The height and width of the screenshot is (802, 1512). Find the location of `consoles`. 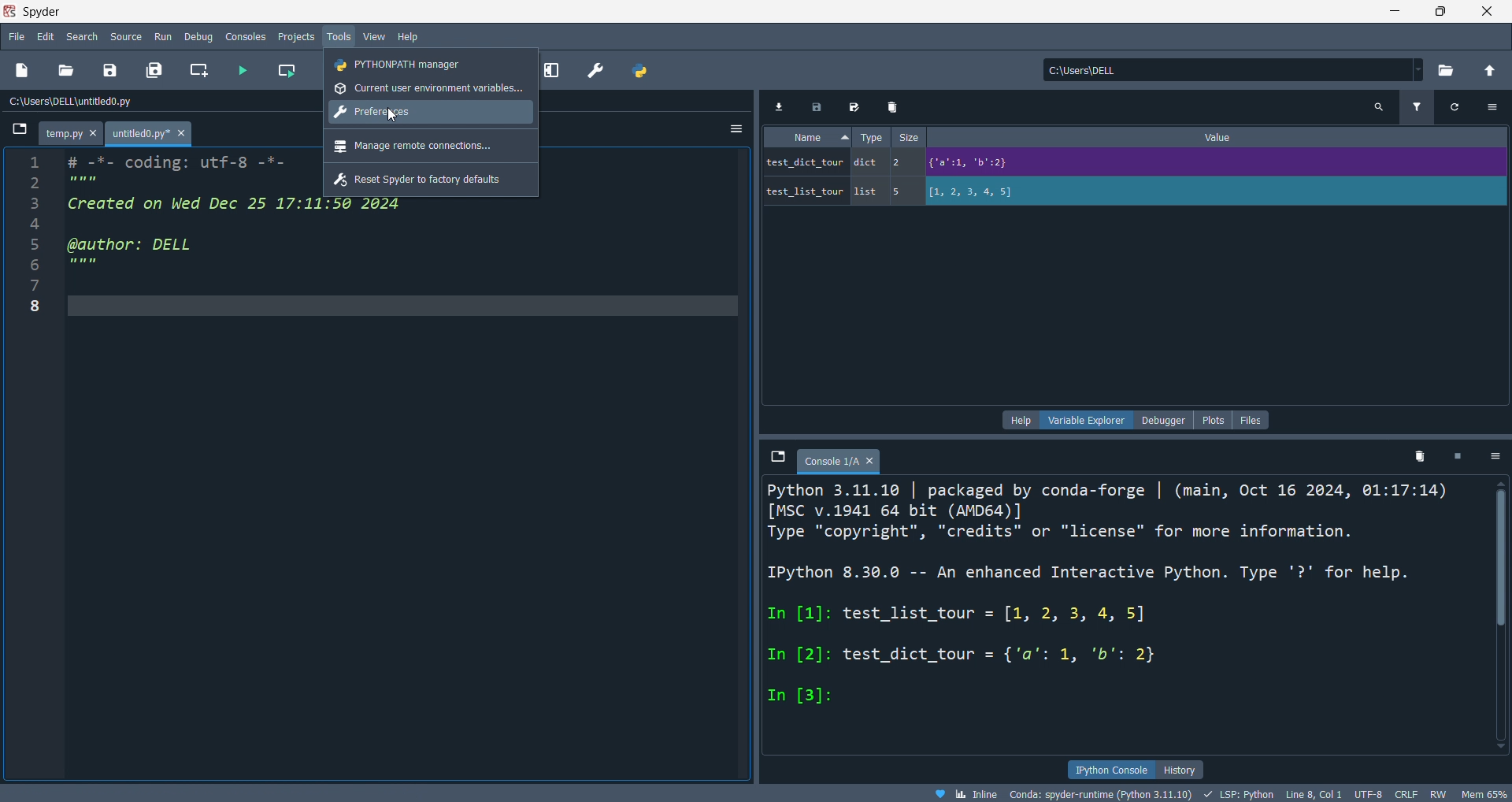

consoles is located at coordinates (247, 36).